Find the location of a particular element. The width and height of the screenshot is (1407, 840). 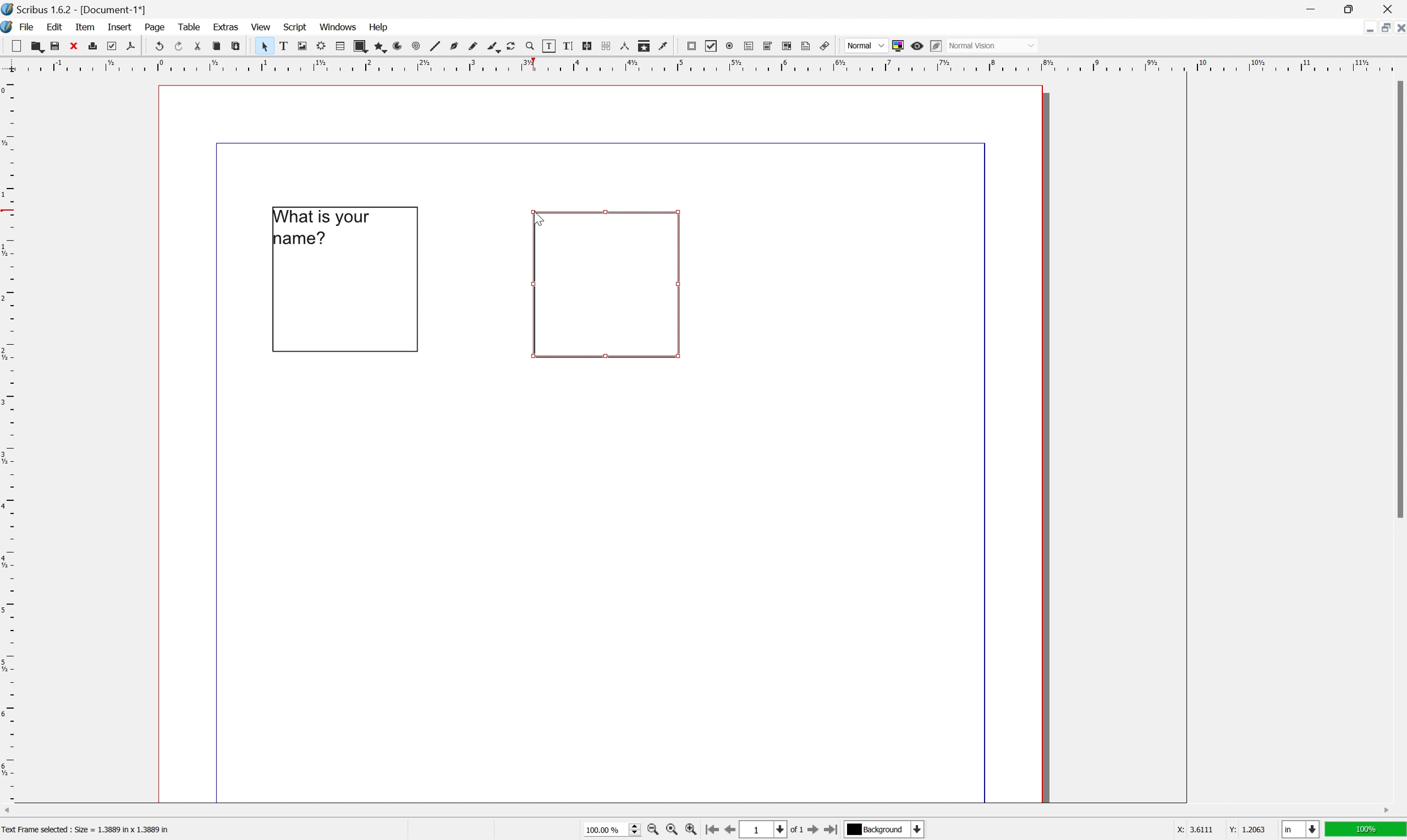

scroll bar is located at coordinates (696, 811).